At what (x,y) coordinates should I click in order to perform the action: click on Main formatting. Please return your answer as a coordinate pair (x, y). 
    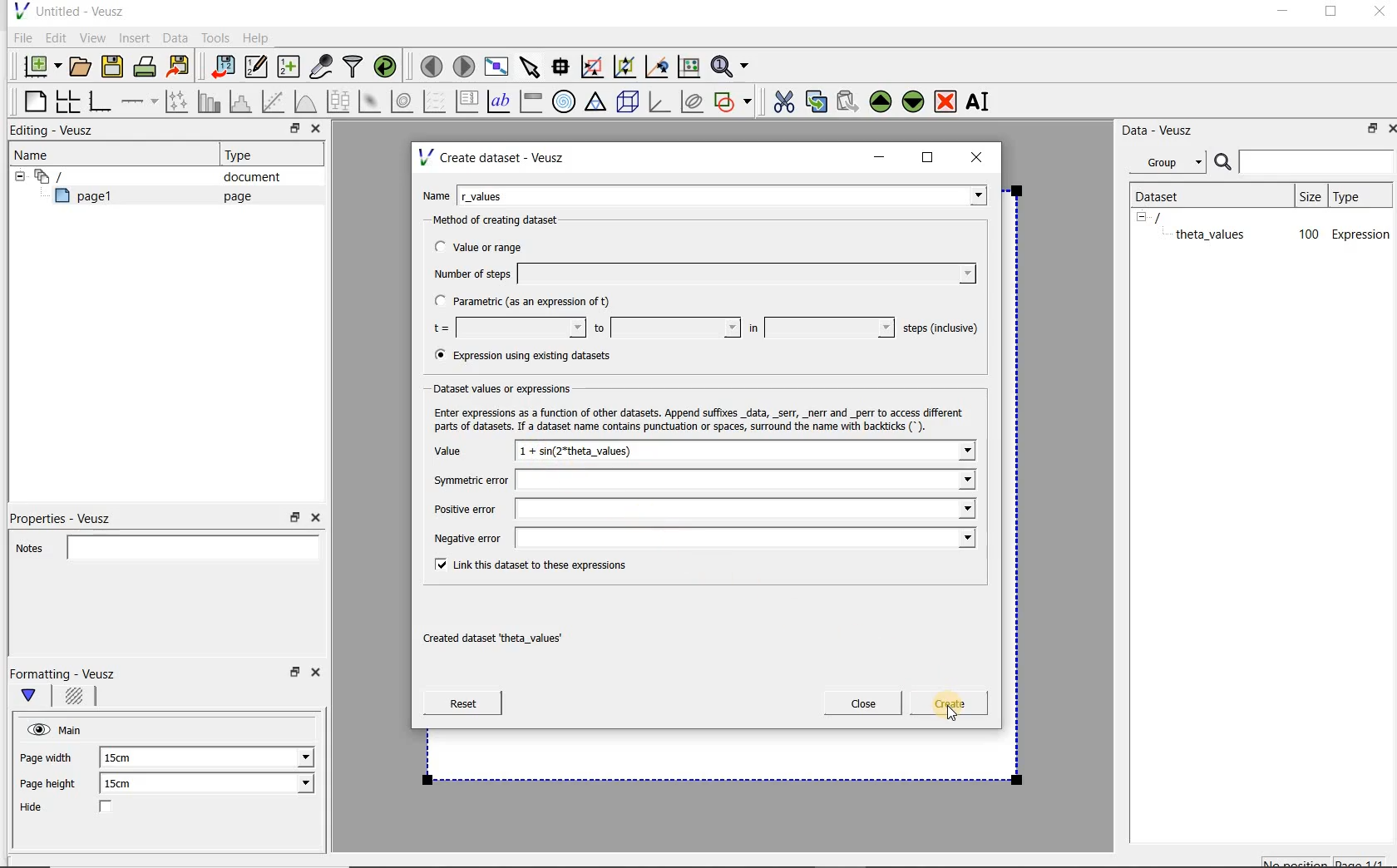
    Looking at the image, I should click on (36, 697).